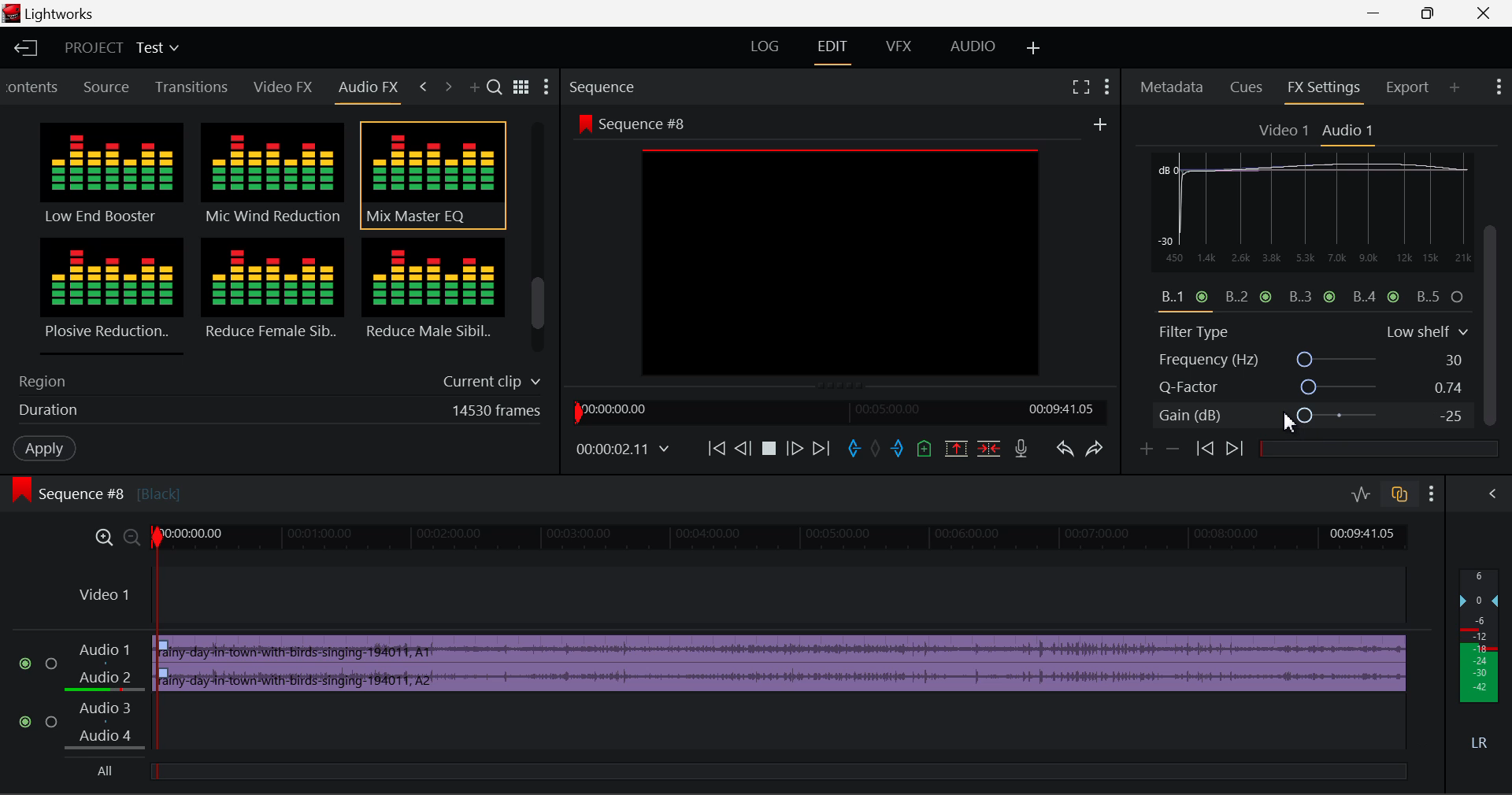 The width and height of the screenshot is (1512, 795). I want to click on Sequence #8, so click(122, 486).